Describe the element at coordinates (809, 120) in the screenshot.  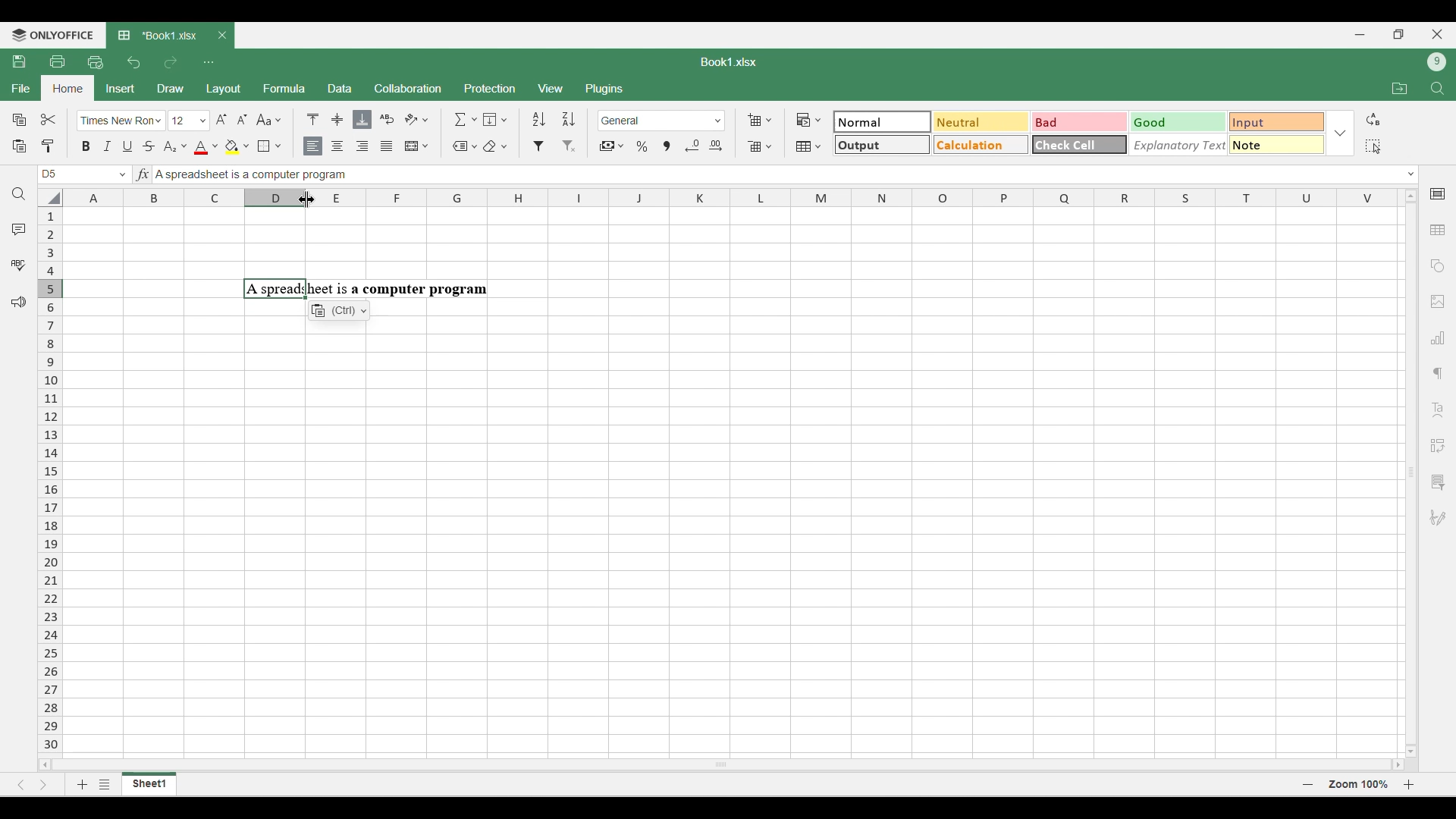
I see `Conditional formatting options` at that location.